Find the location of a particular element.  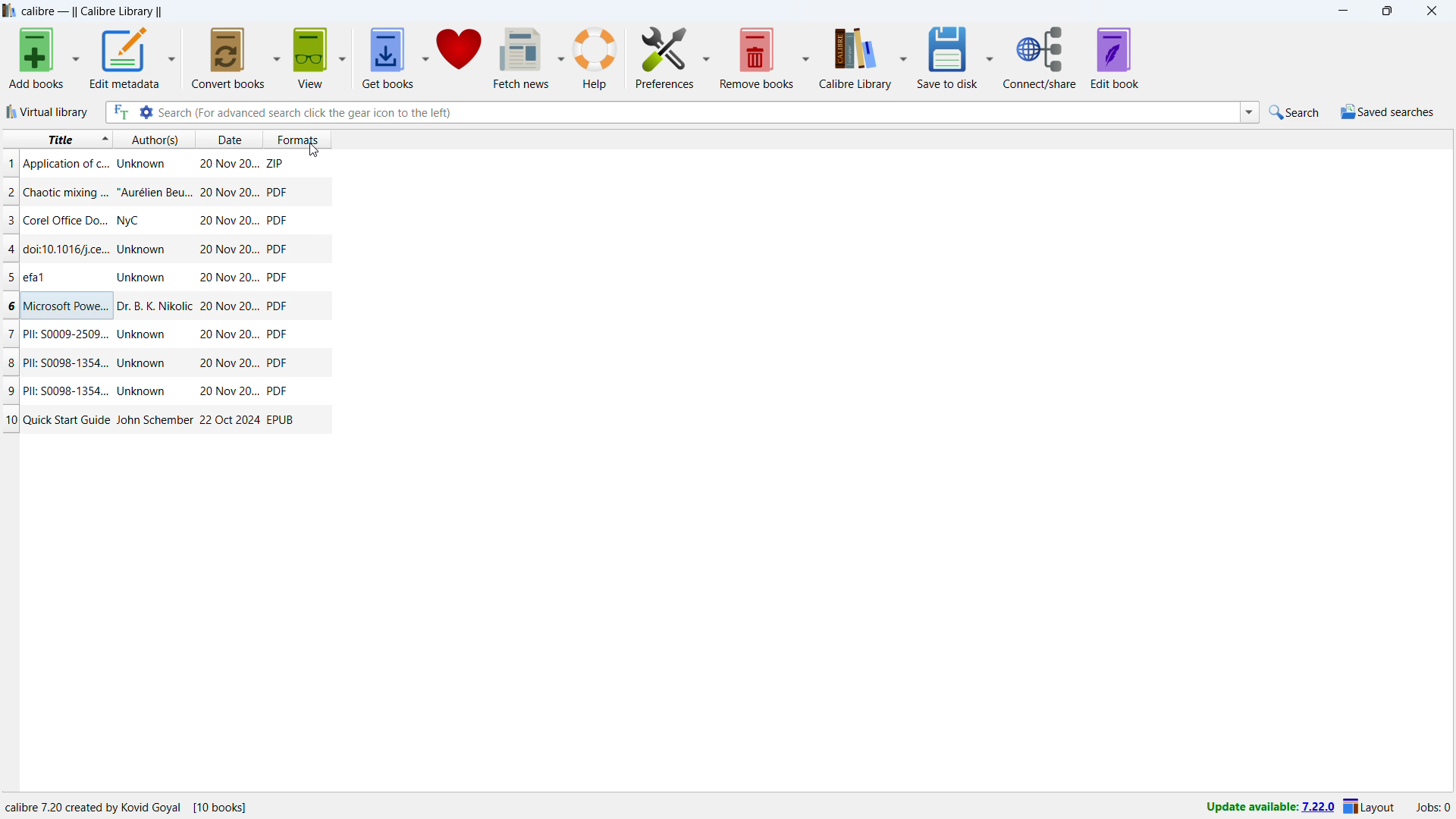

add books options is located at coordinates (77, 57).